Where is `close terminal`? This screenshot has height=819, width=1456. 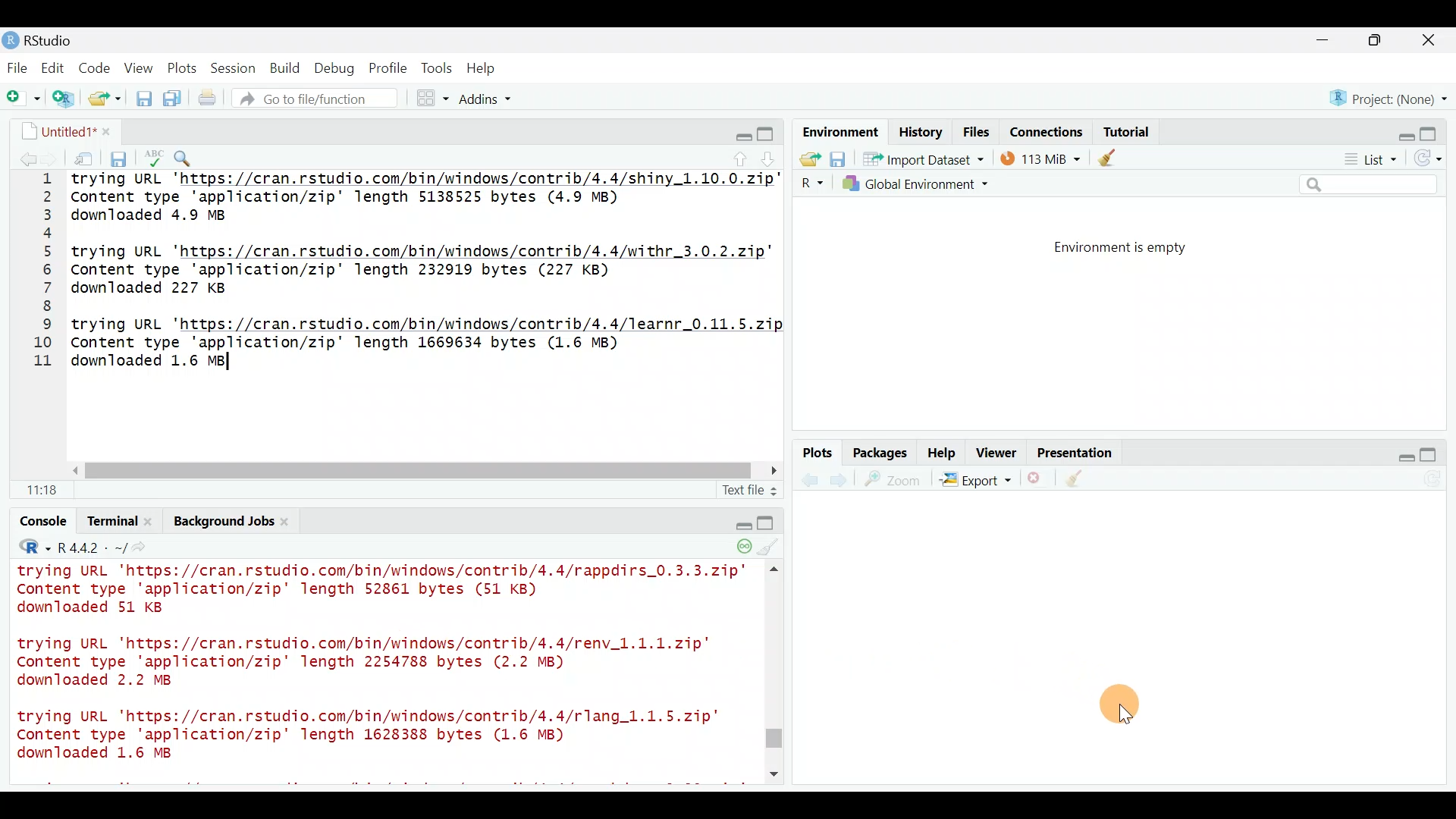
close terminal is located at coordinates (149, 519).